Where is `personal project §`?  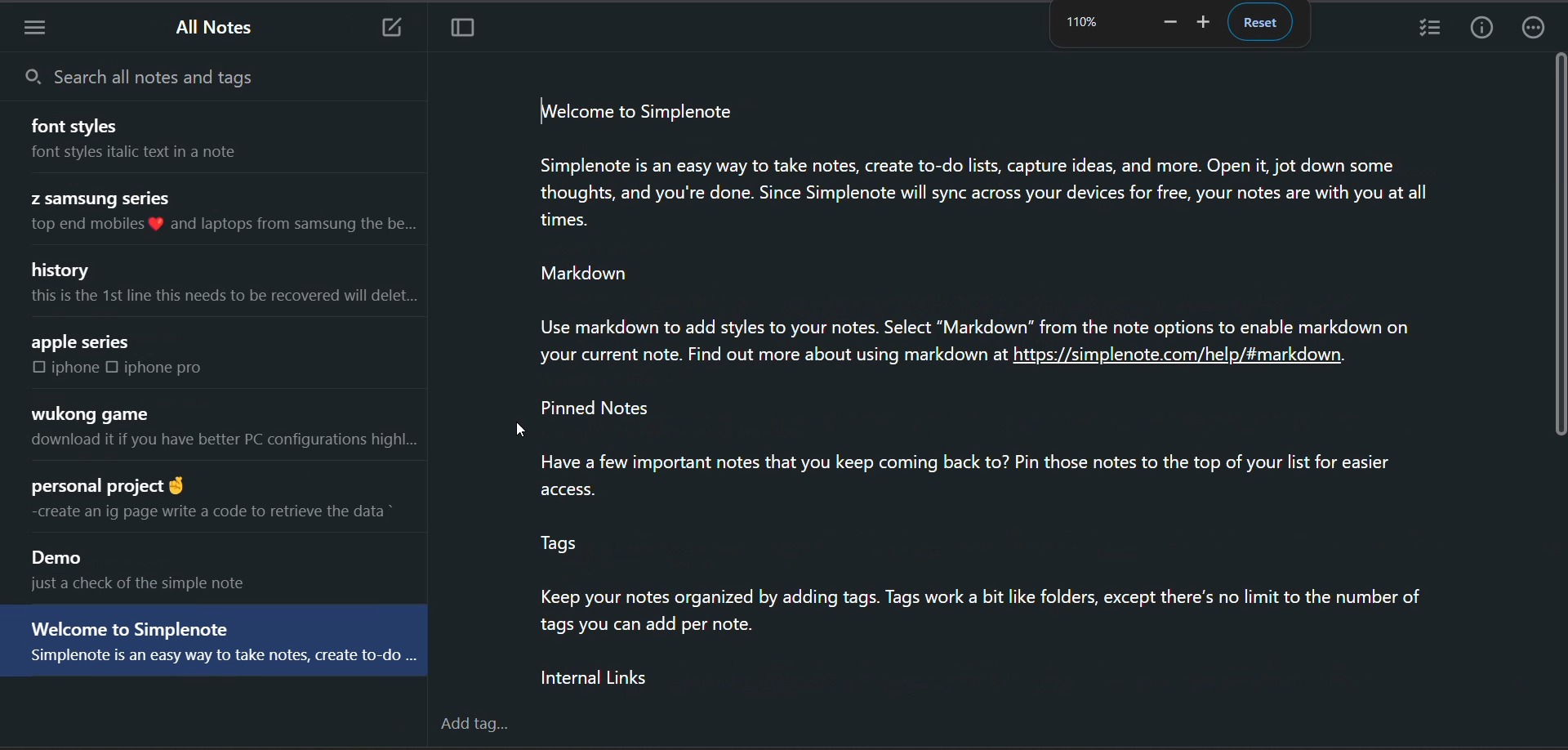 personal project § is located at coordinates (112, 484).